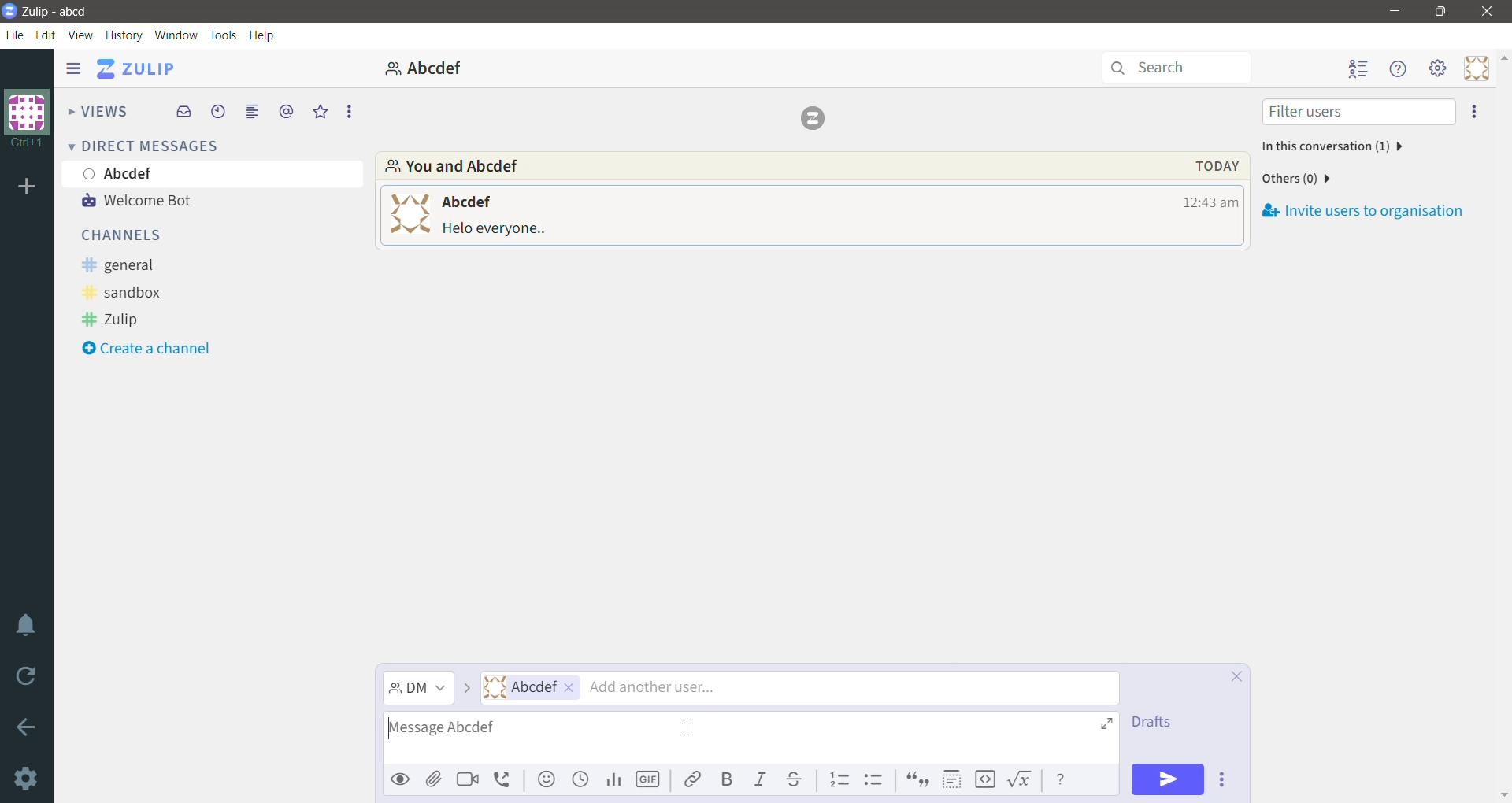 Image resolution: width=1512 pixels, height=803 pixels. I want to click on Numbered list, so click(839, 779).